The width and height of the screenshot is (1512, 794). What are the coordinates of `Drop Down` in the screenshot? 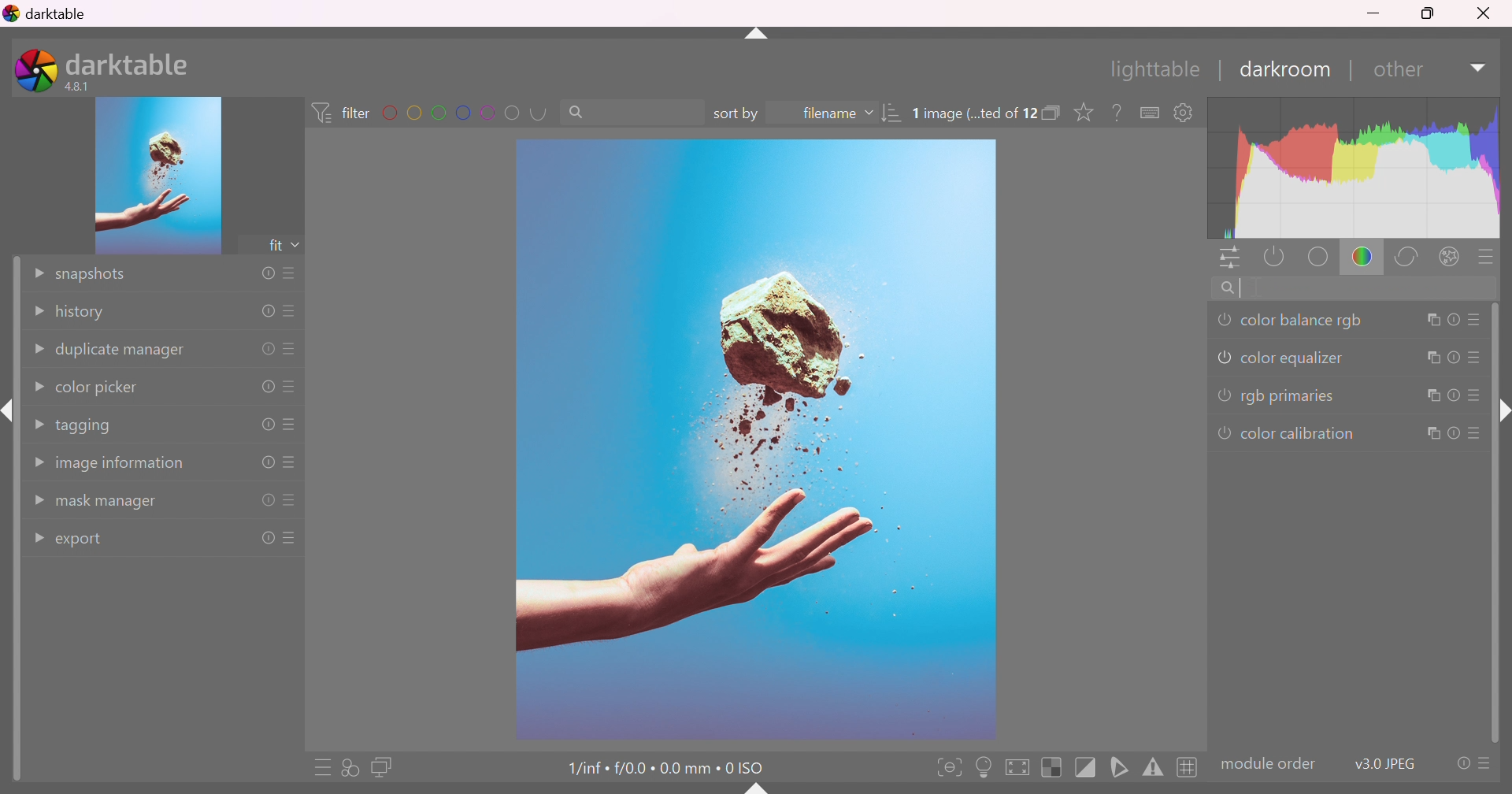 It's located at (39, 423).